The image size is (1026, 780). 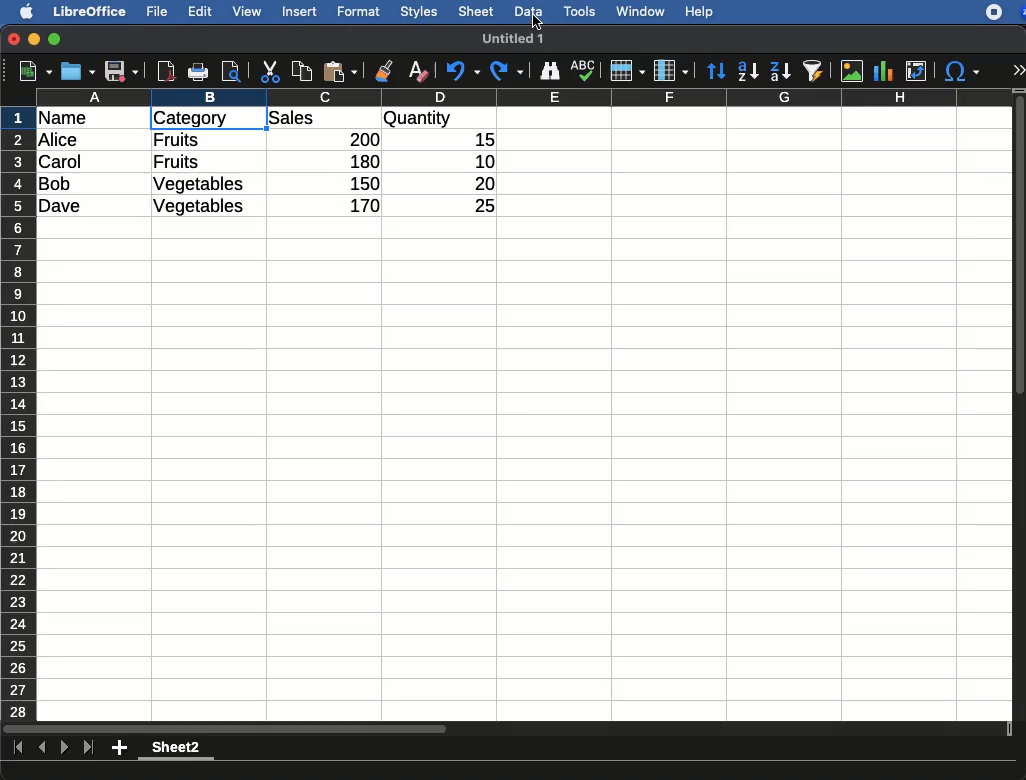 I want to click on apple, so click(x=21, y=10).